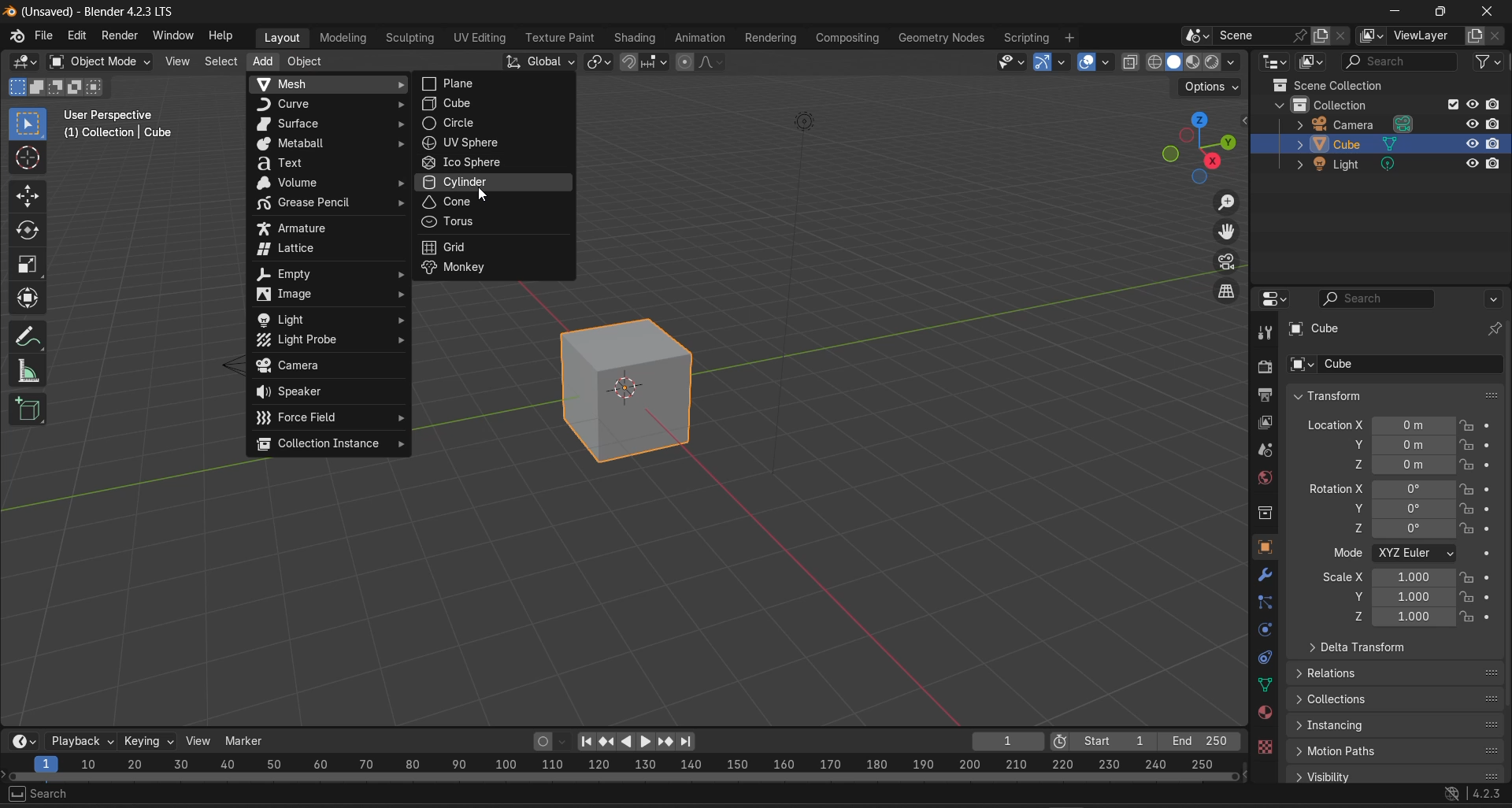  I want to click on animate property, so click(1489, 595).